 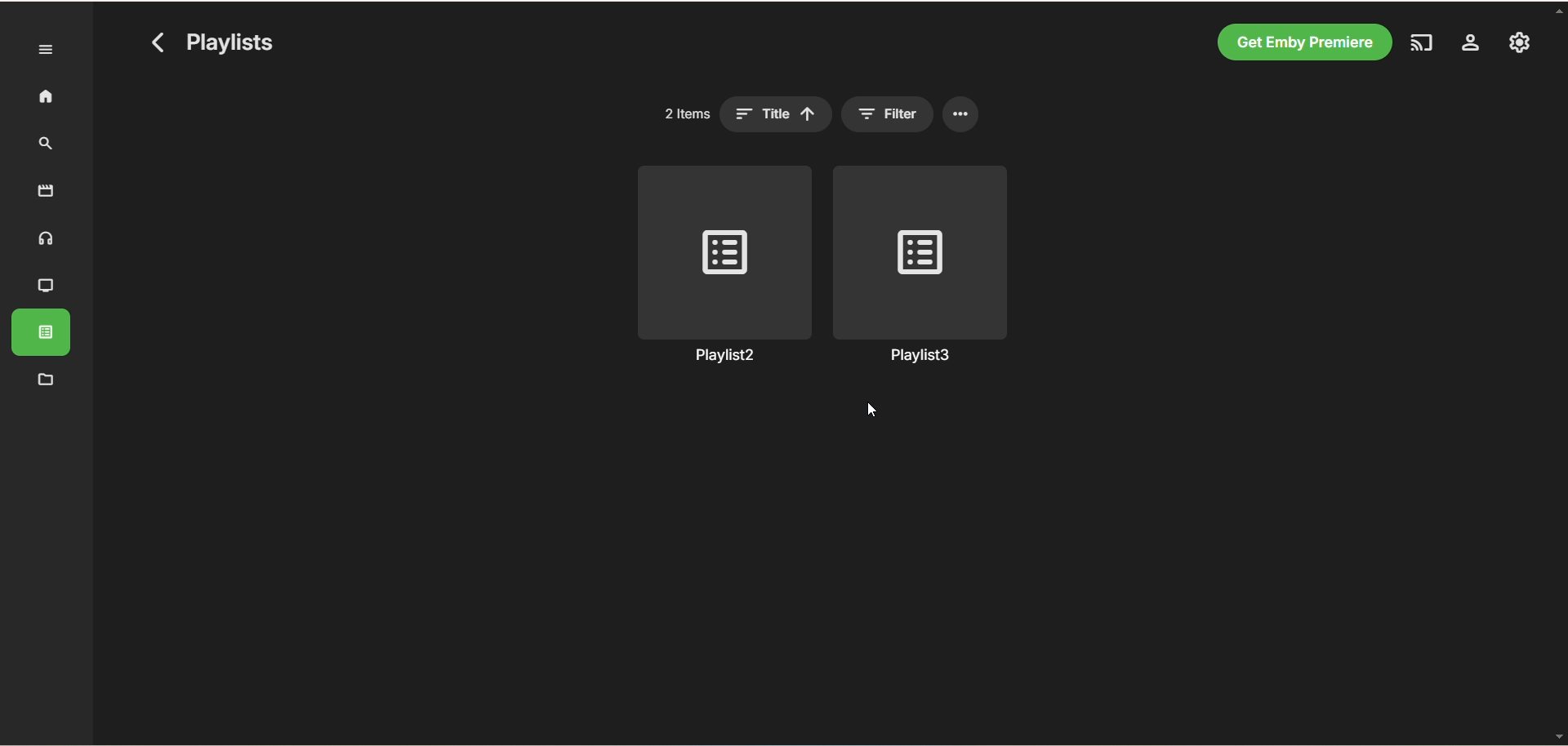 I want to click on play on another device, so click(x=1419, y=45).